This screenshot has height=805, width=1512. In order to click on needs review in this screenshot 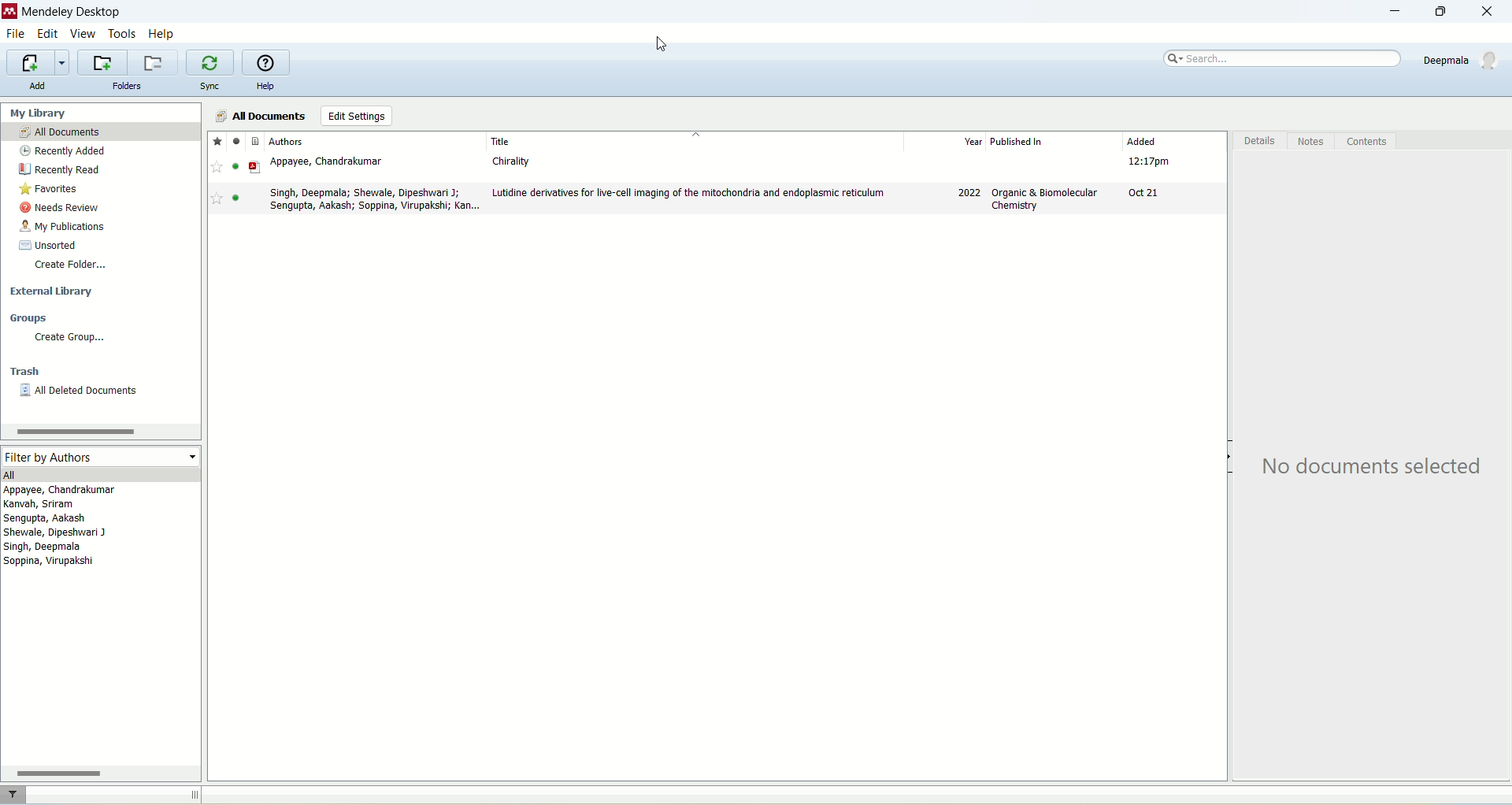, I will do `click(68, 208)`.